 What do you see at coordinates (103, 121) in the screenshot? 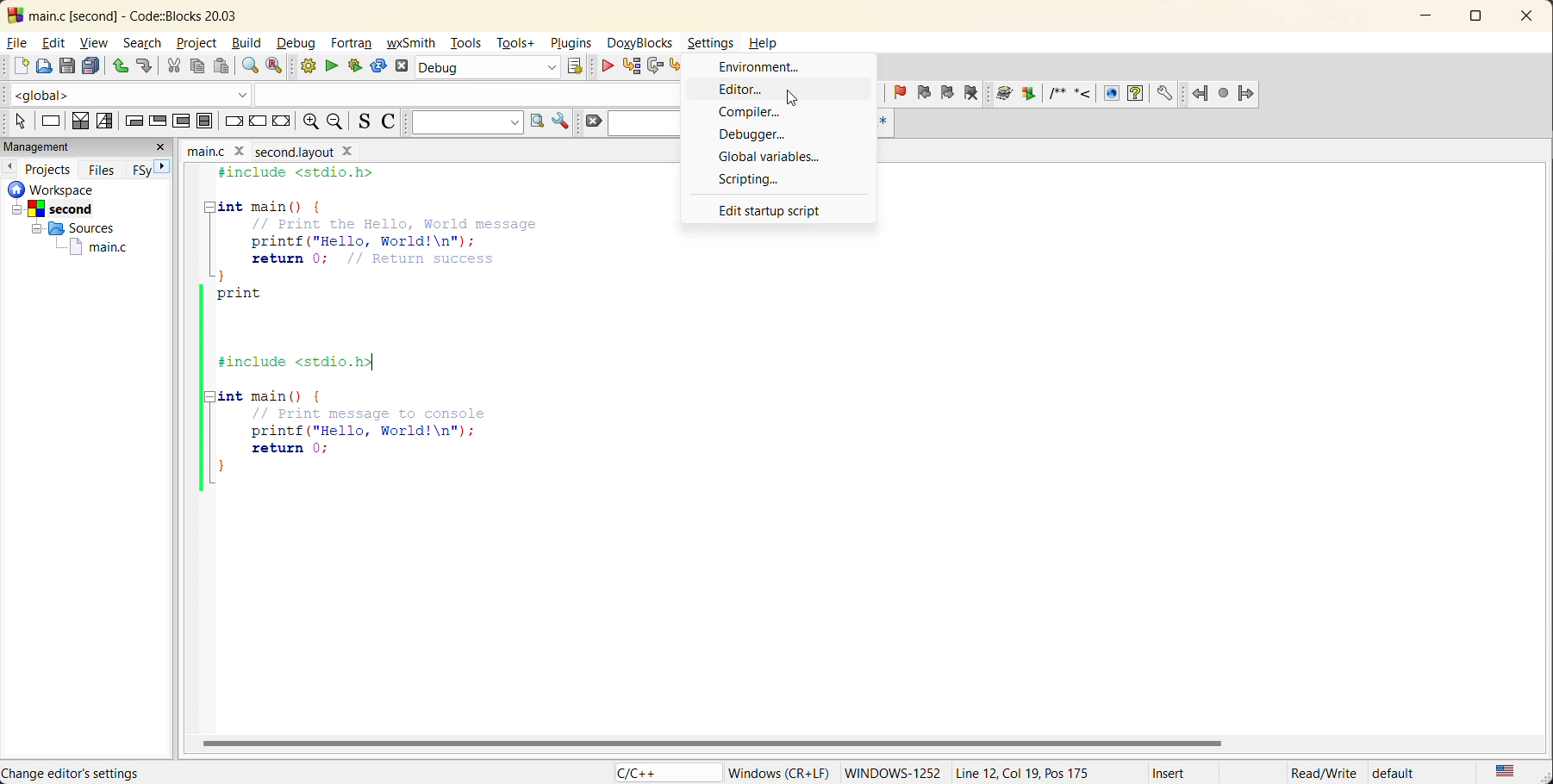
I see `selection` at bounding box center [103, 121].